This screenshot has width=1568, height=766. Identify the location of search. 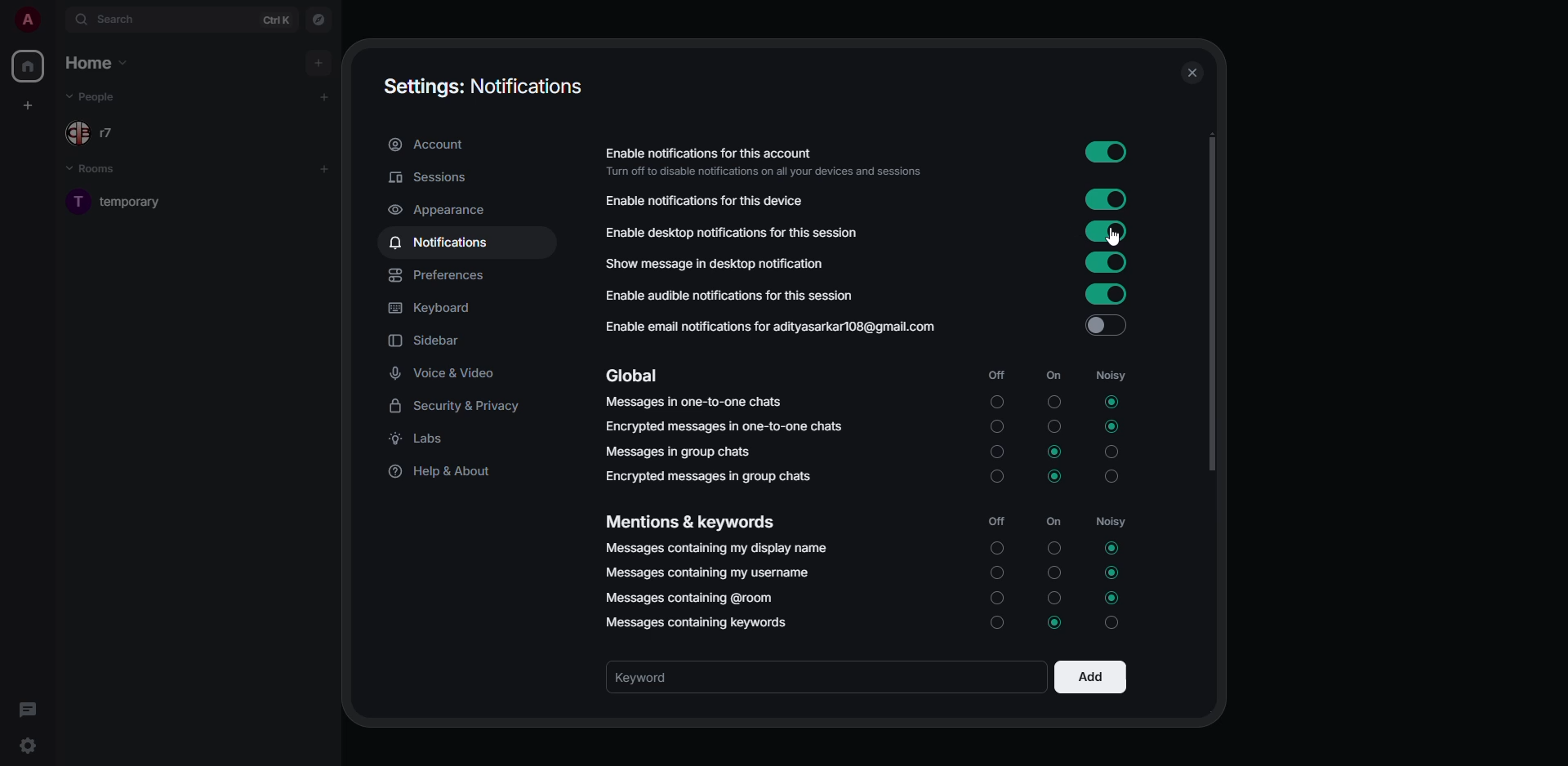
(113, 19).